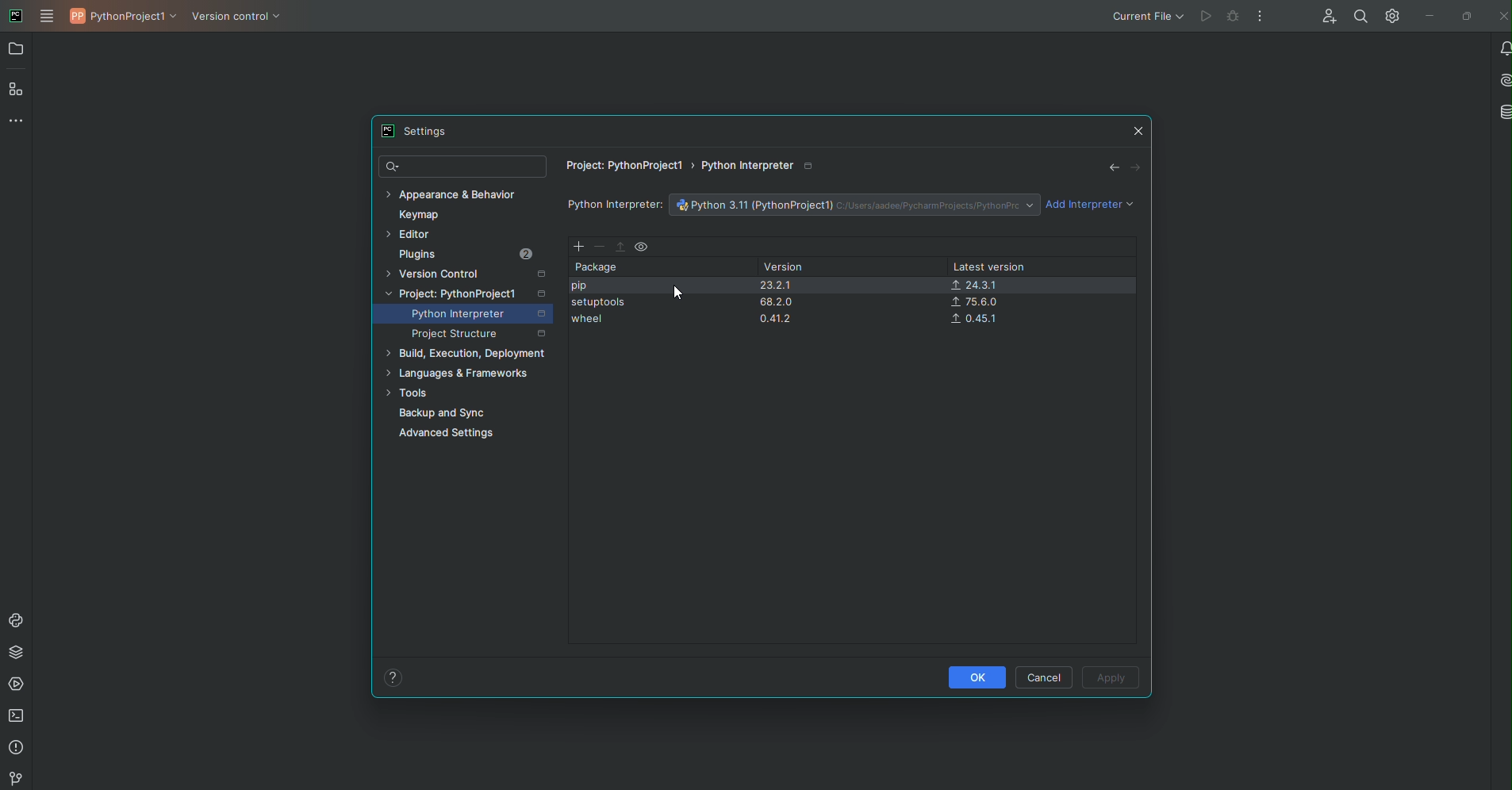 The height and width of the screenshot is (790, 1512). I want to click on Settings, so click(1391, 17).